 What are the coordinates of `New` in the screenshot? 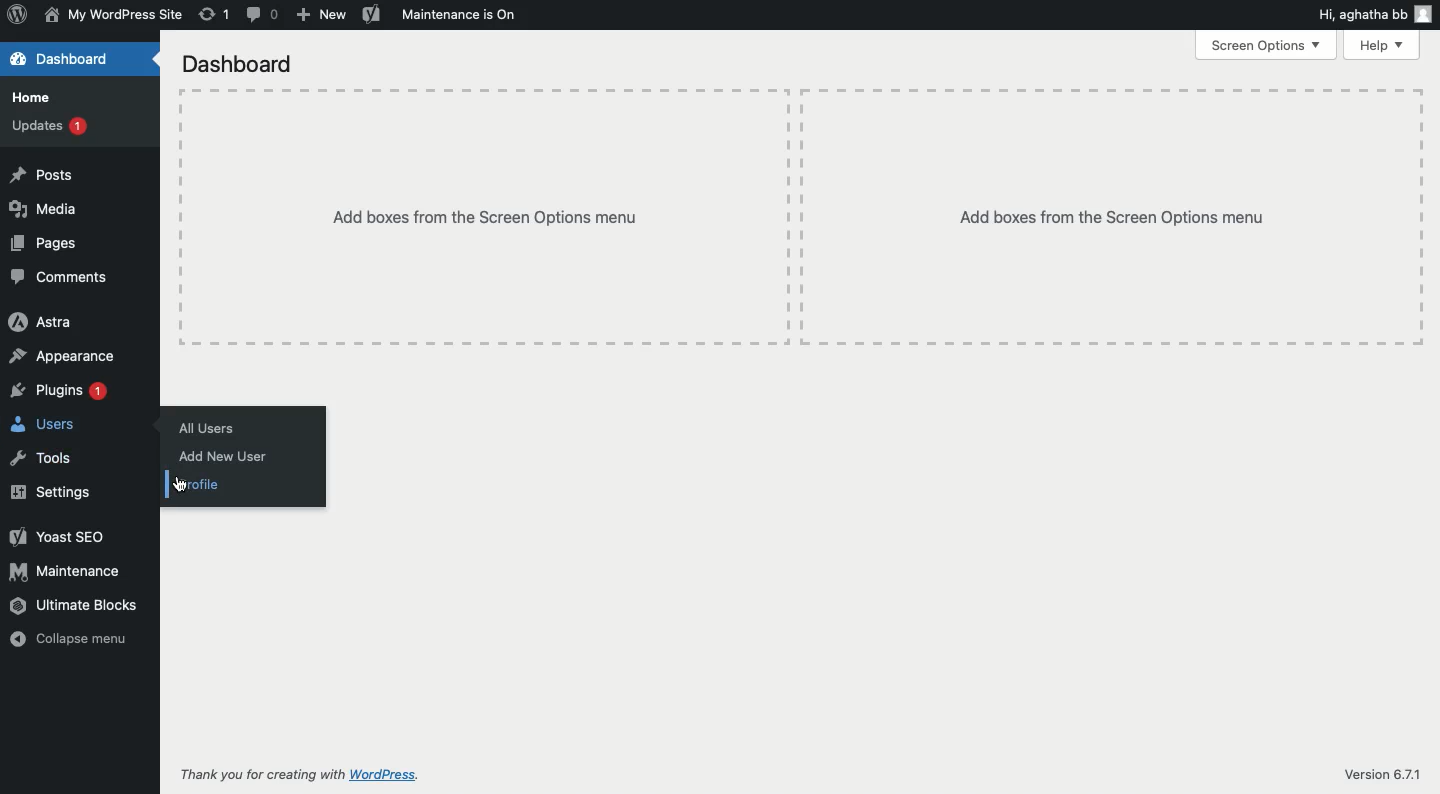 It's located at (322, 15).